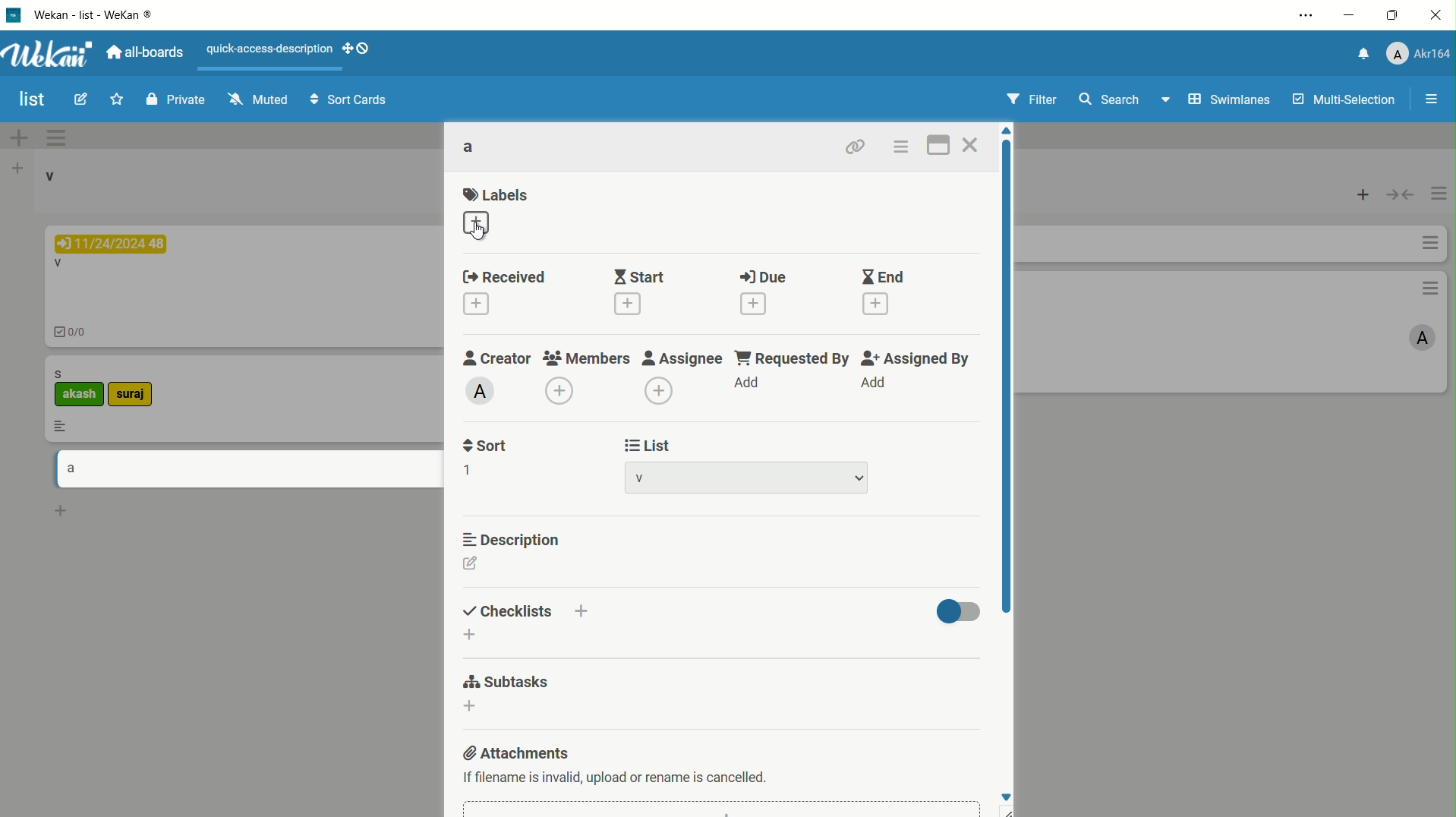  I want to click on start, so click(640, 276).